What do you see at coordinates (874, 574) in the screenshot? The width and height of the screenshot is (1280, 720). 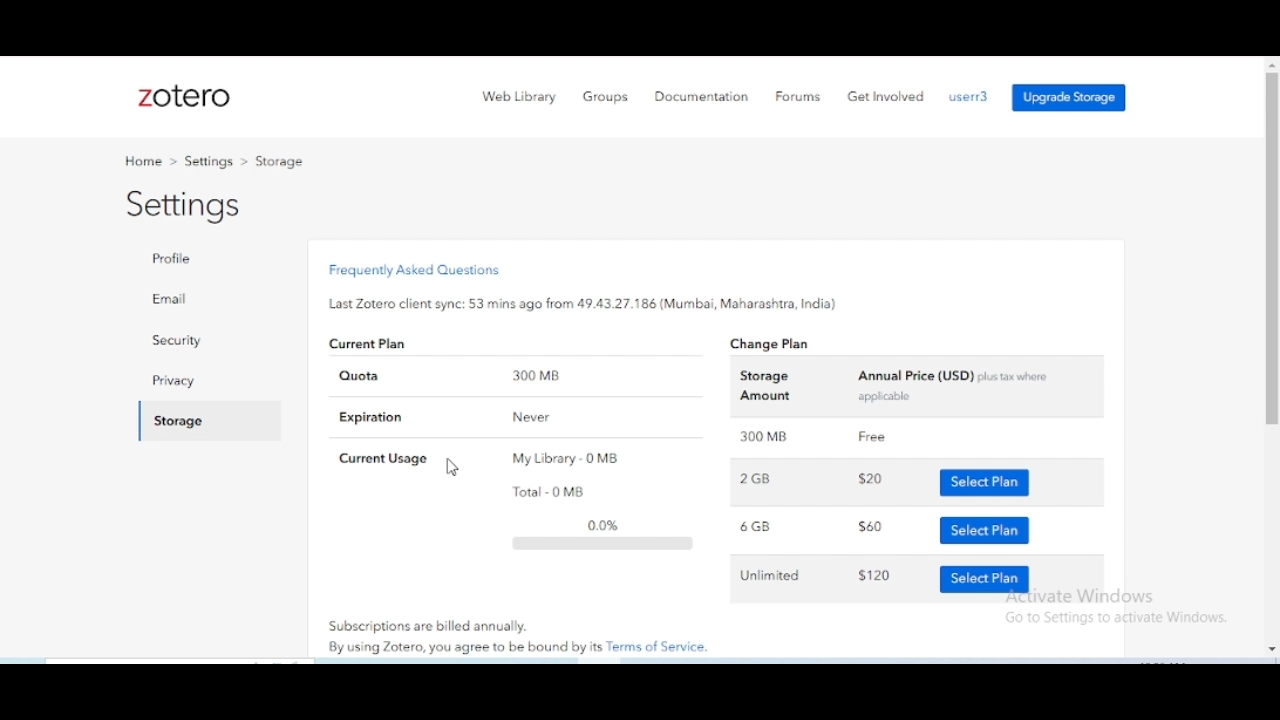 I see `$120` at bounding box center [874, 574].